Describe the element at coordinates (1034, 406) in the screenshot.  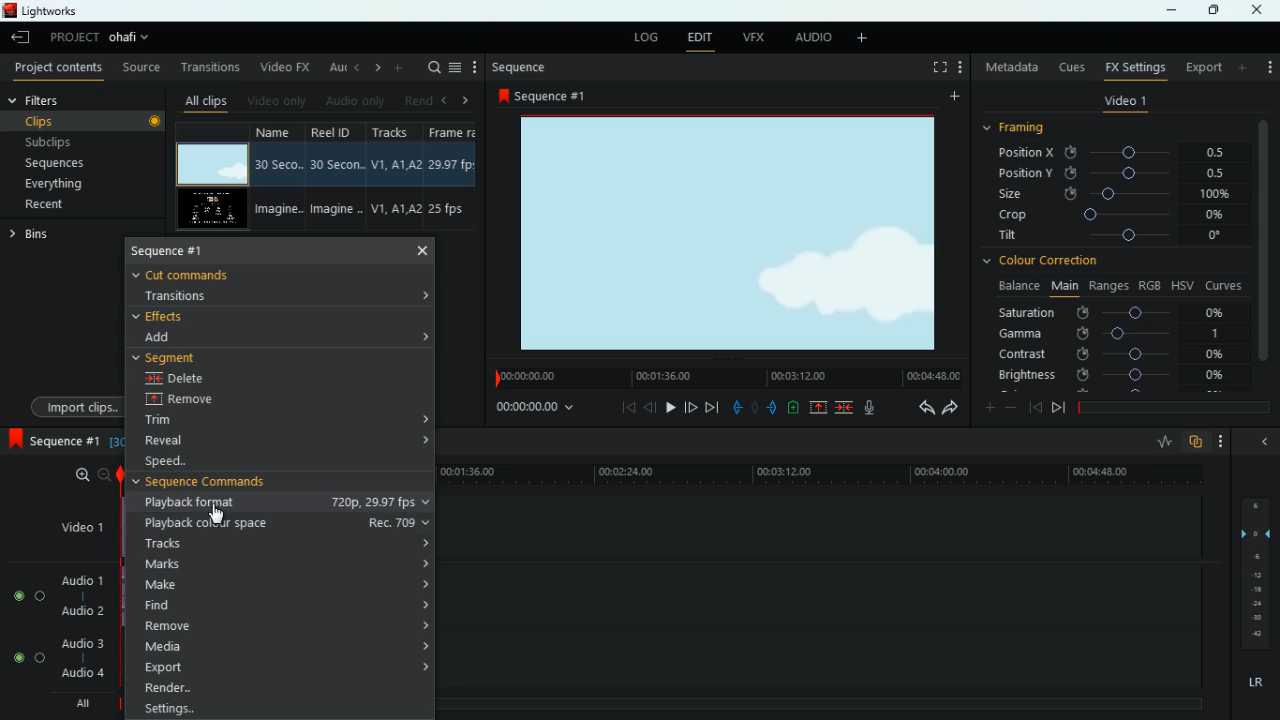
I see `back` at that location.